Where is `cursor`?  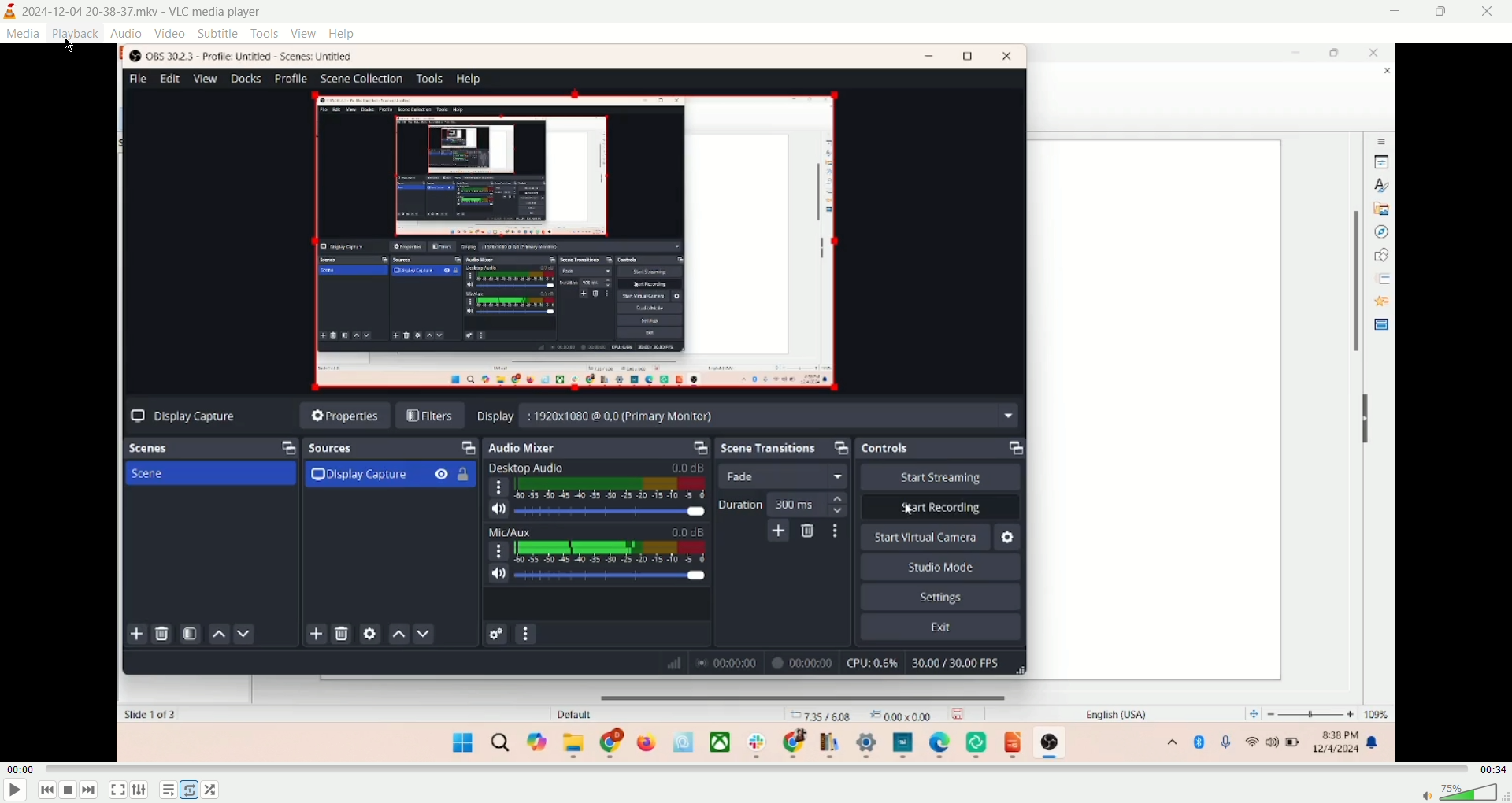
cursor is located at coordinates (70, 46).